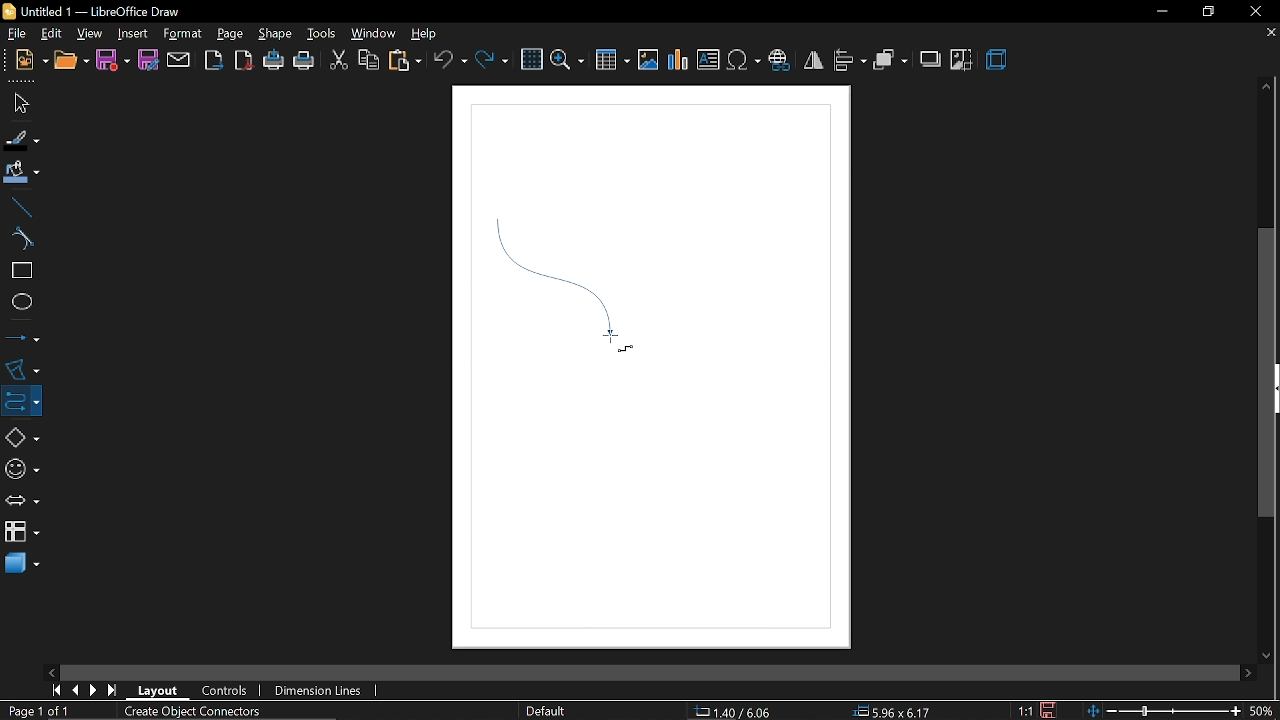 The image size is (1280, 720). Describe the element at coordinates (1264, 711) in the screenshot. I see `current zoom` at that location.